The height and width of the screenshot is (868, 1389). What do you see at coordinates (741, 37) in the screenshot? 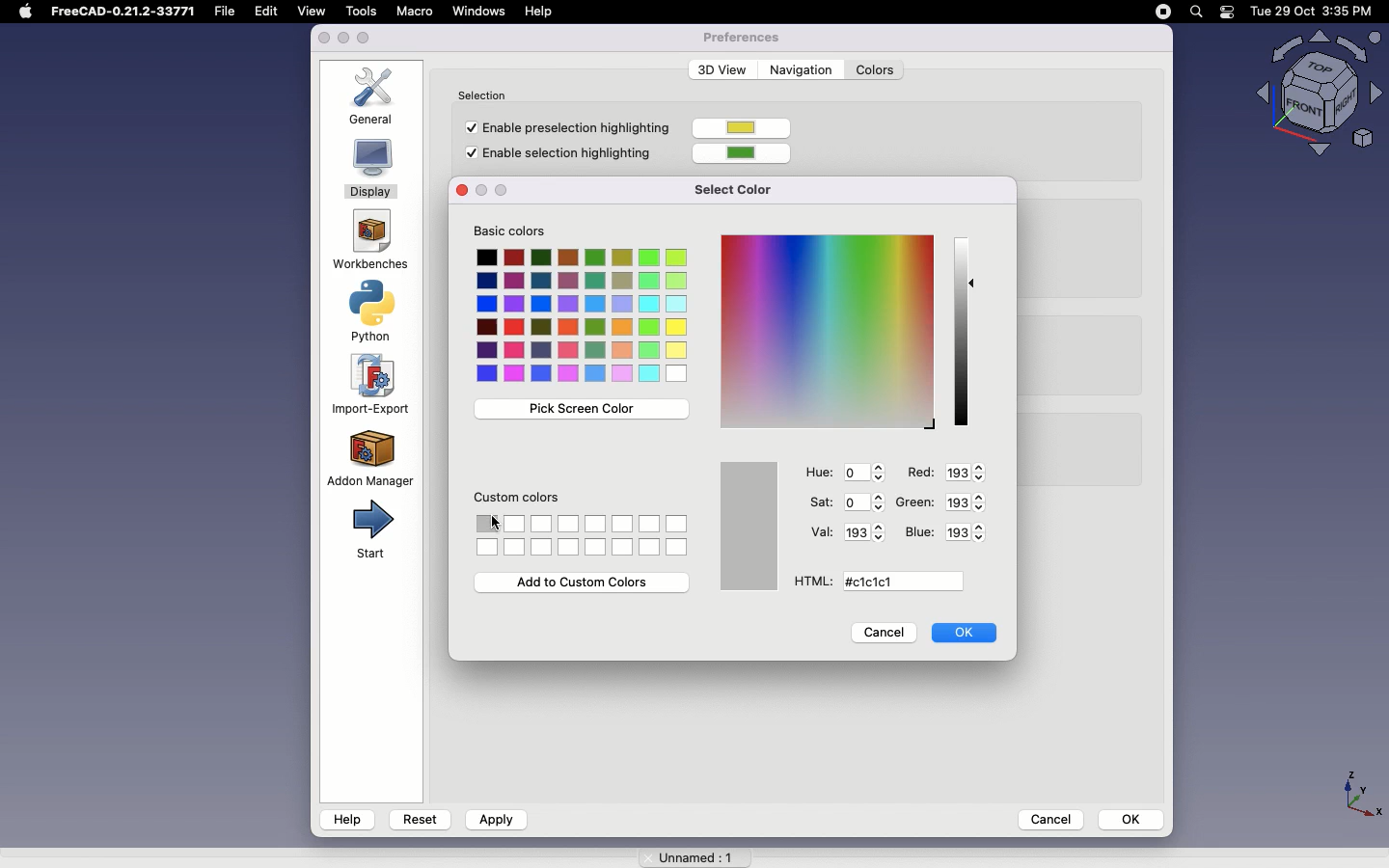
I see `Preferences` at bounding box center [741, 37].